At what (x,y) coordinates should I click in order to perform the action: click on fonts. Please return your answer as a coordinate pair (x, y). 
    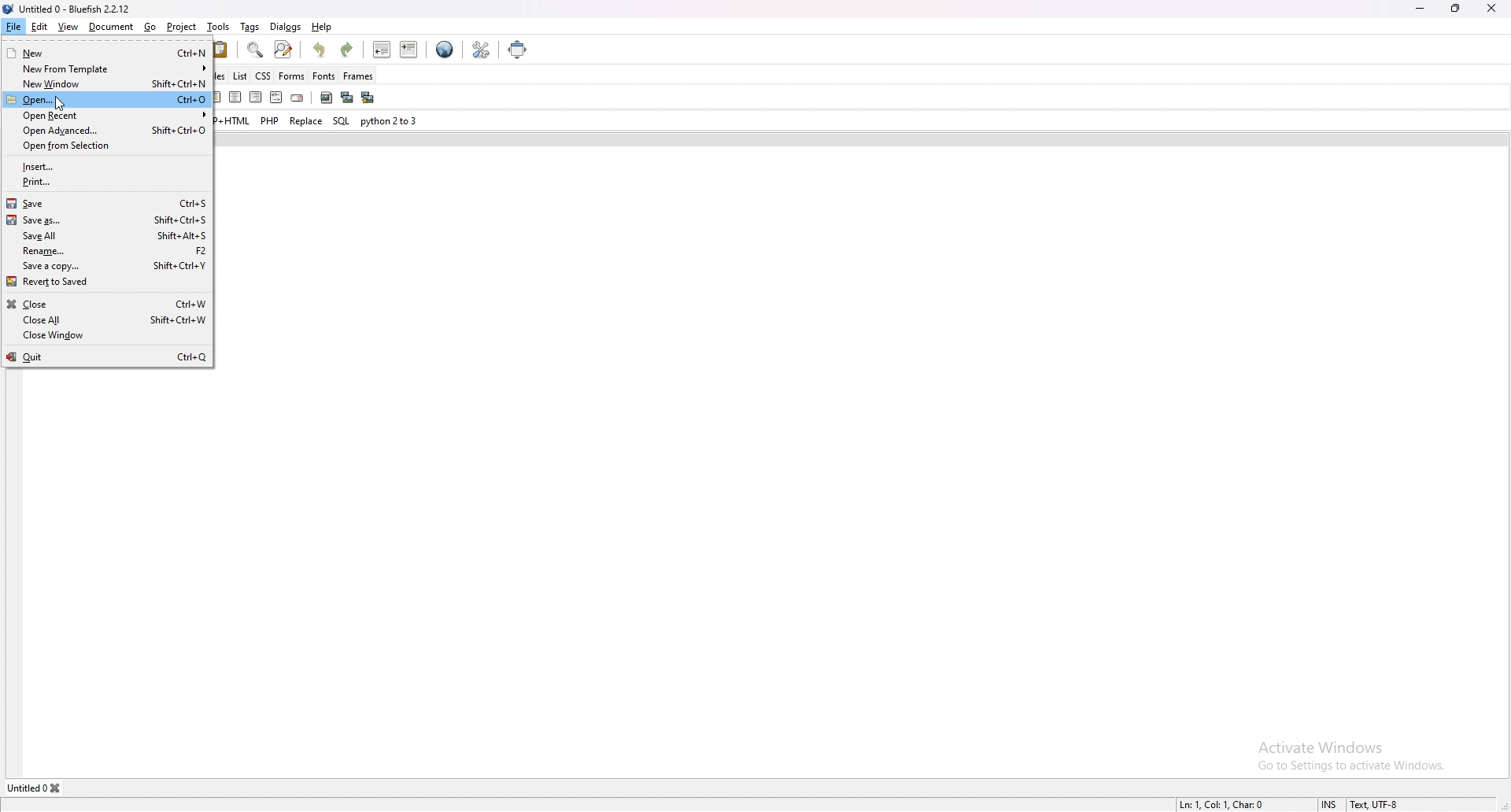
    Looking at the image, I should click on (324, 76).